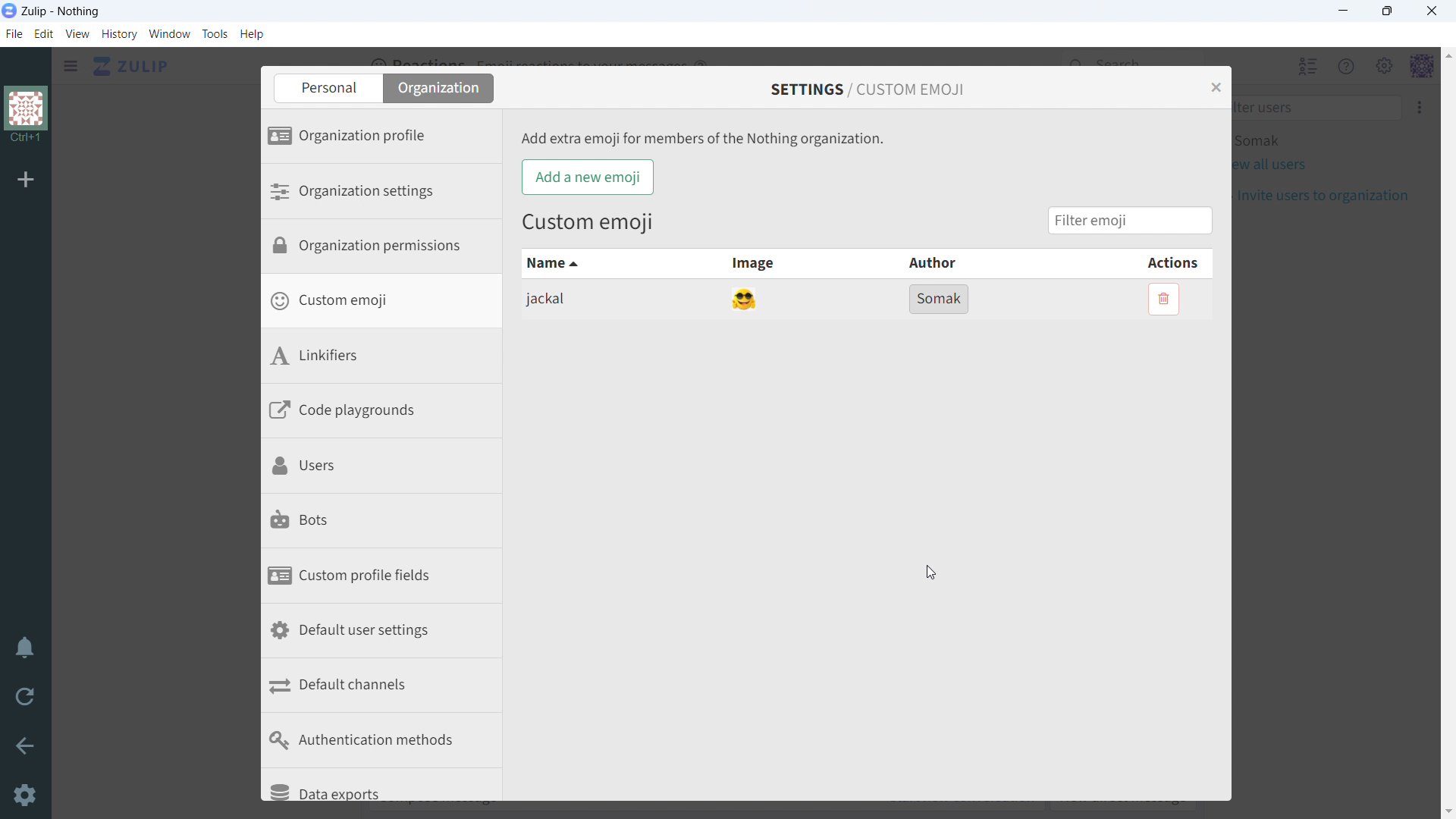 This screenshot has height=819, width=1456. Describe the element at coordinates (1447, 811) in the screenshot. I see `scroll down` at that location.